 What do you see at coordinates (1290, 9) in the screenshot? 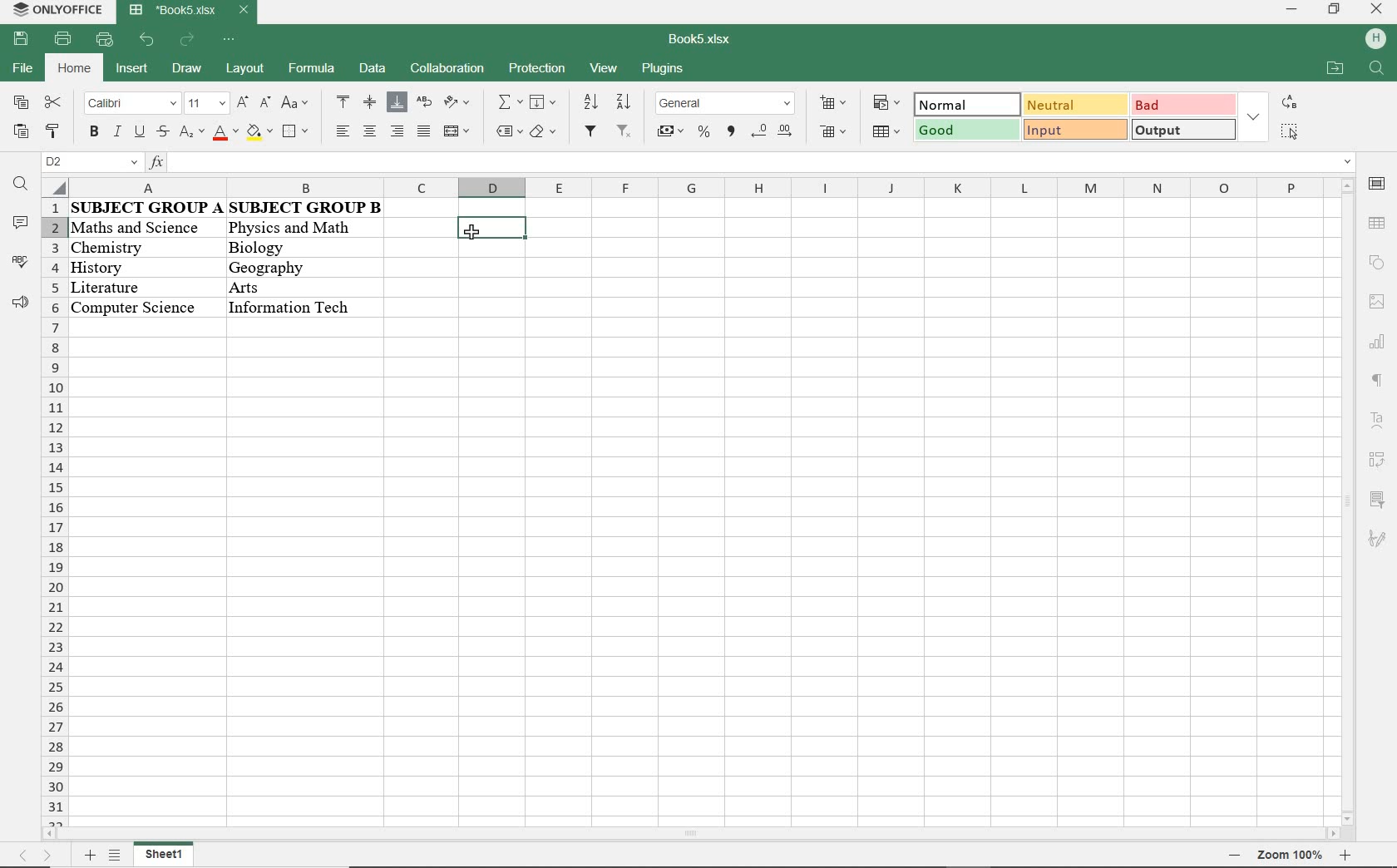
I see `minimize` at bounding box center [1290, 9].